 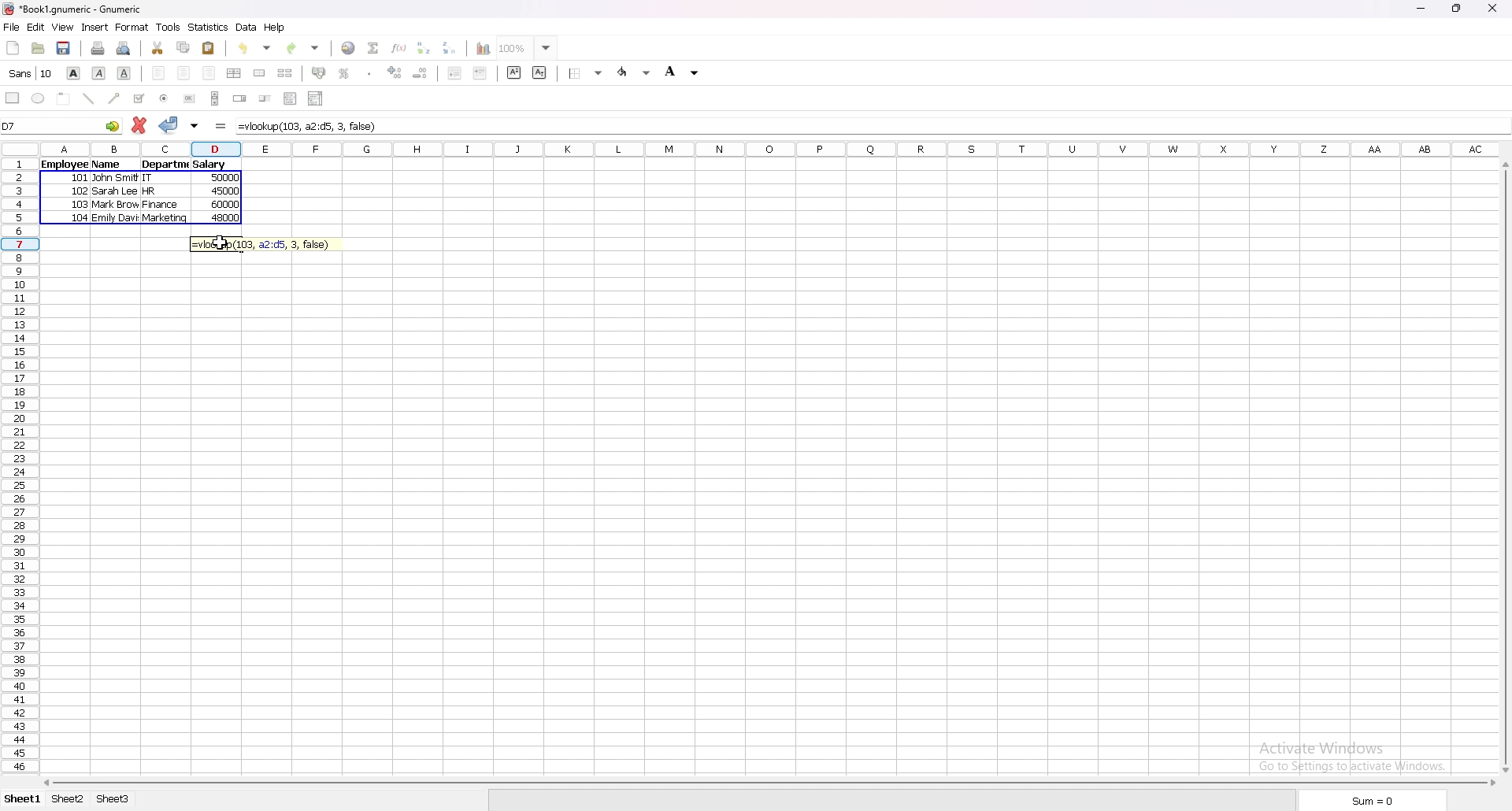 I want to click on sheet 3, so click(x=113, y=800).